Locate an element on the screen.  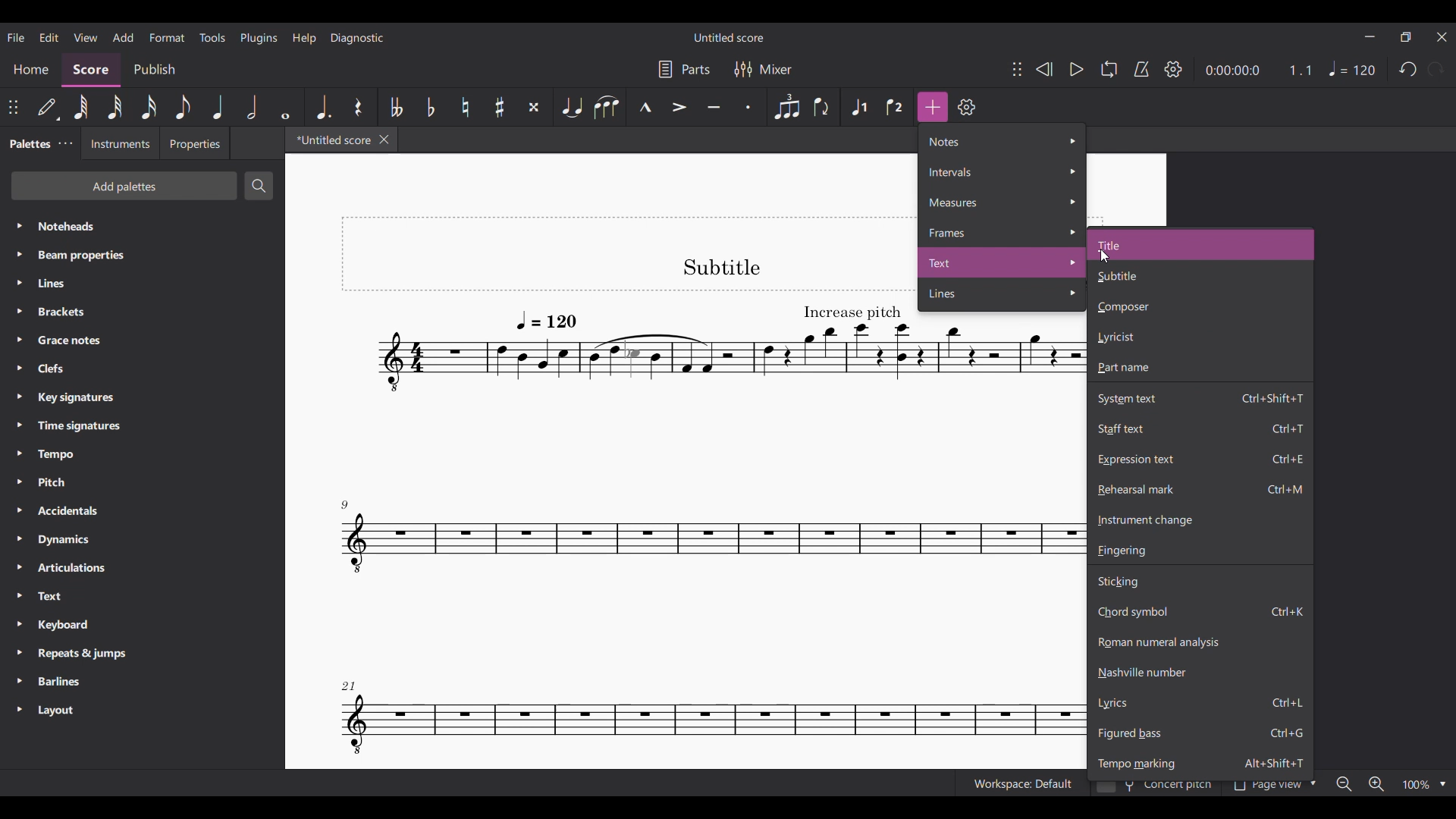
Add, highlighted as current selection is located at coordinates (933, 107).